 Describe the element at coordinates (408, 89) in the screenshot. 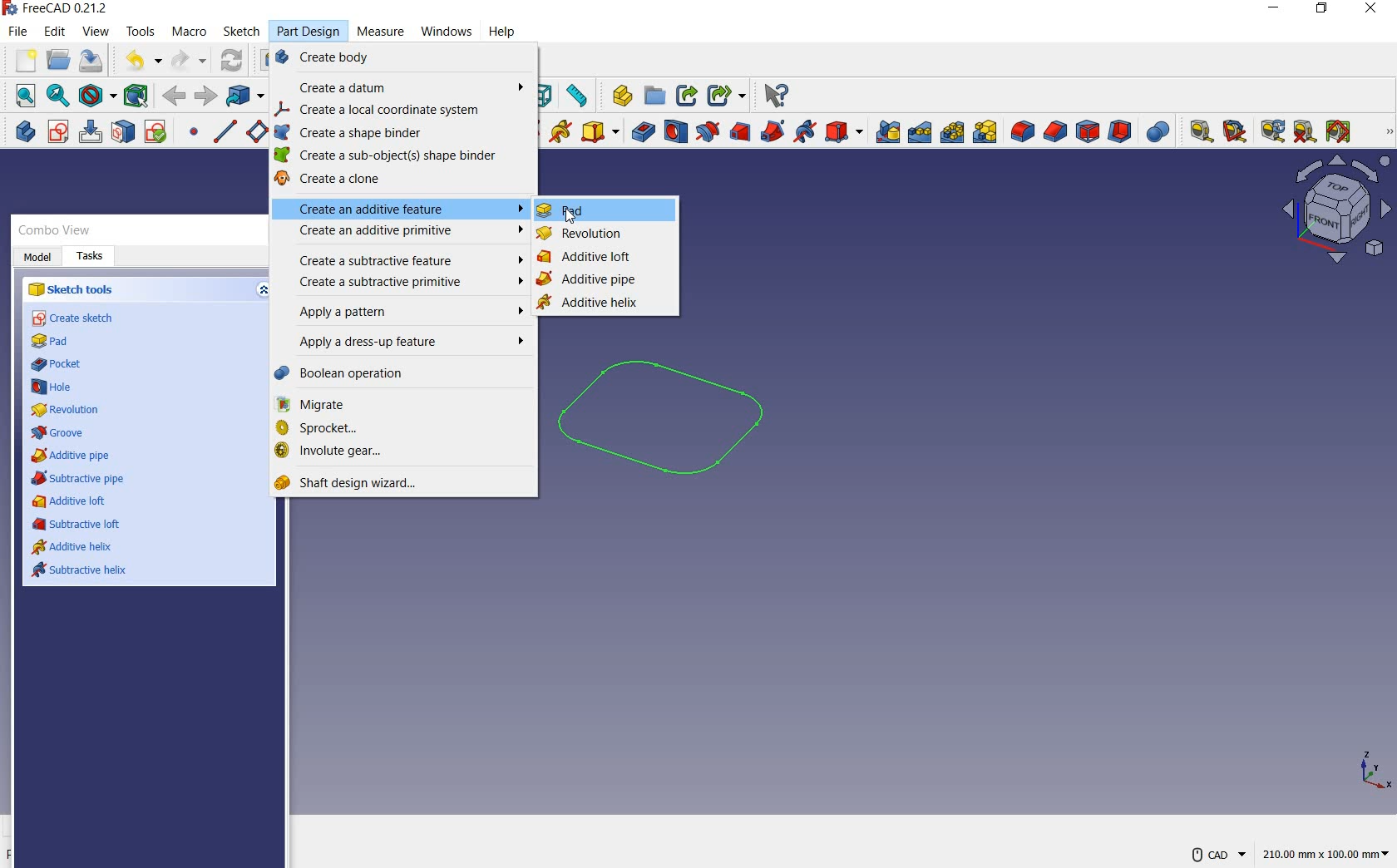

I see `create a datum` at that location.